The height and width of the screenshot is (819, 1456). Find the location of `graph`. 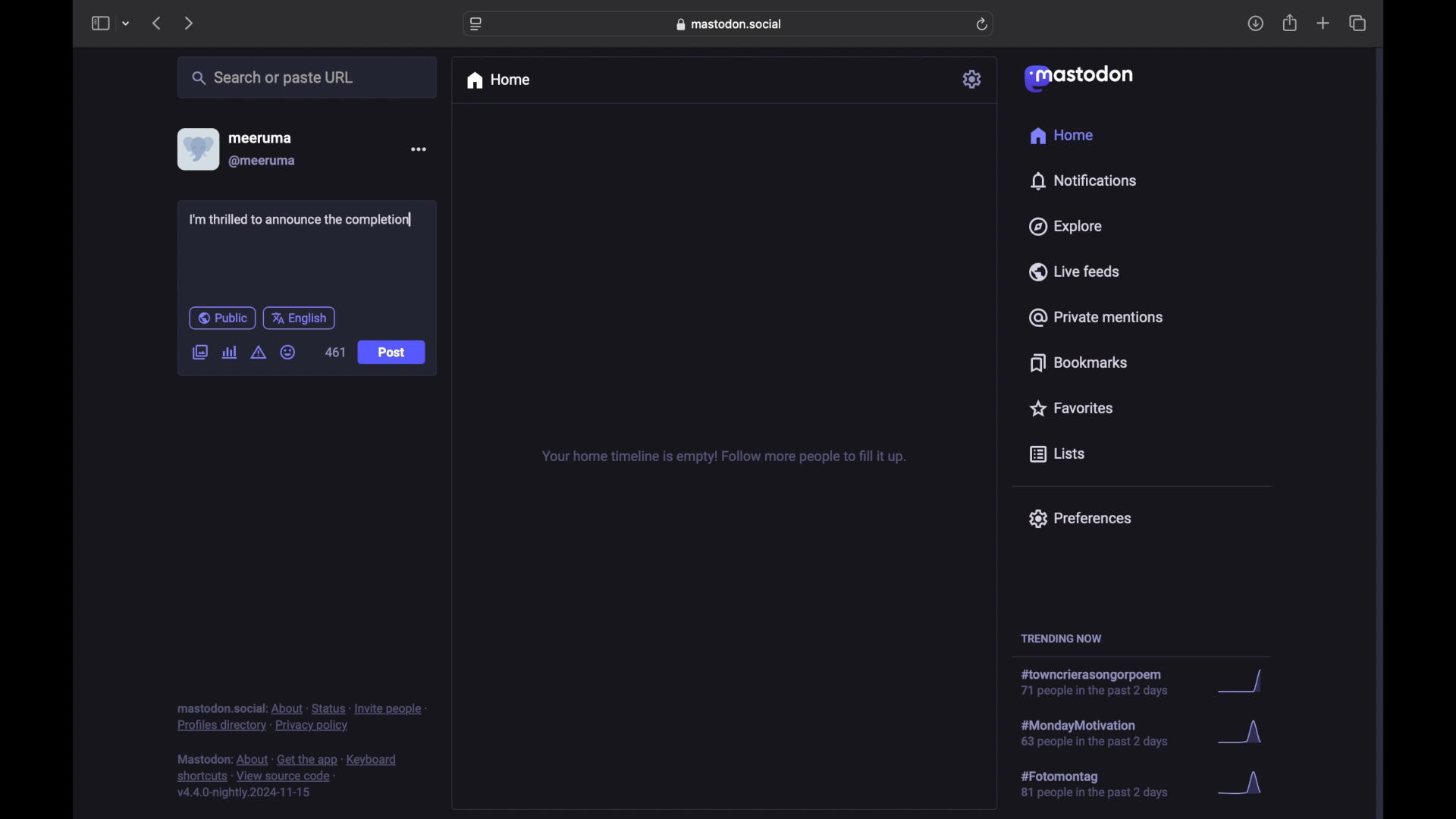

graph is located at coordinates (1244, 734).